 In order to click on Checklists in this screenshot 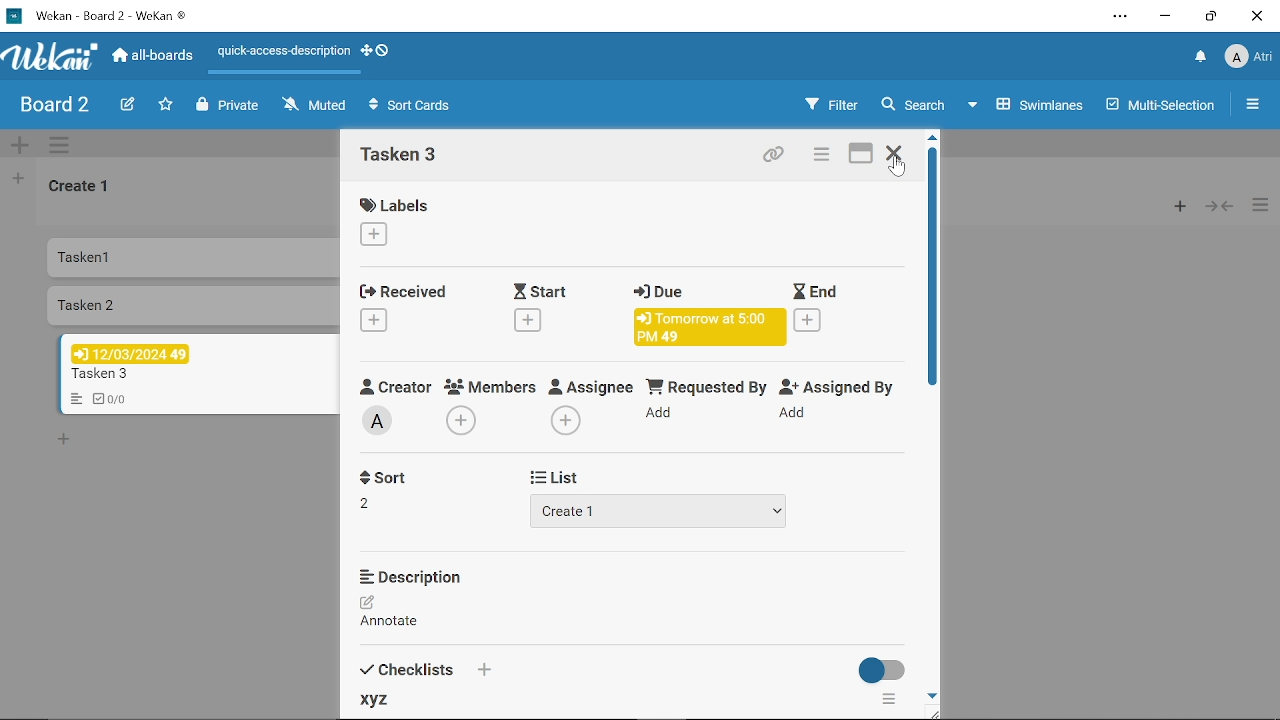, I will do `click(428, 670)`.